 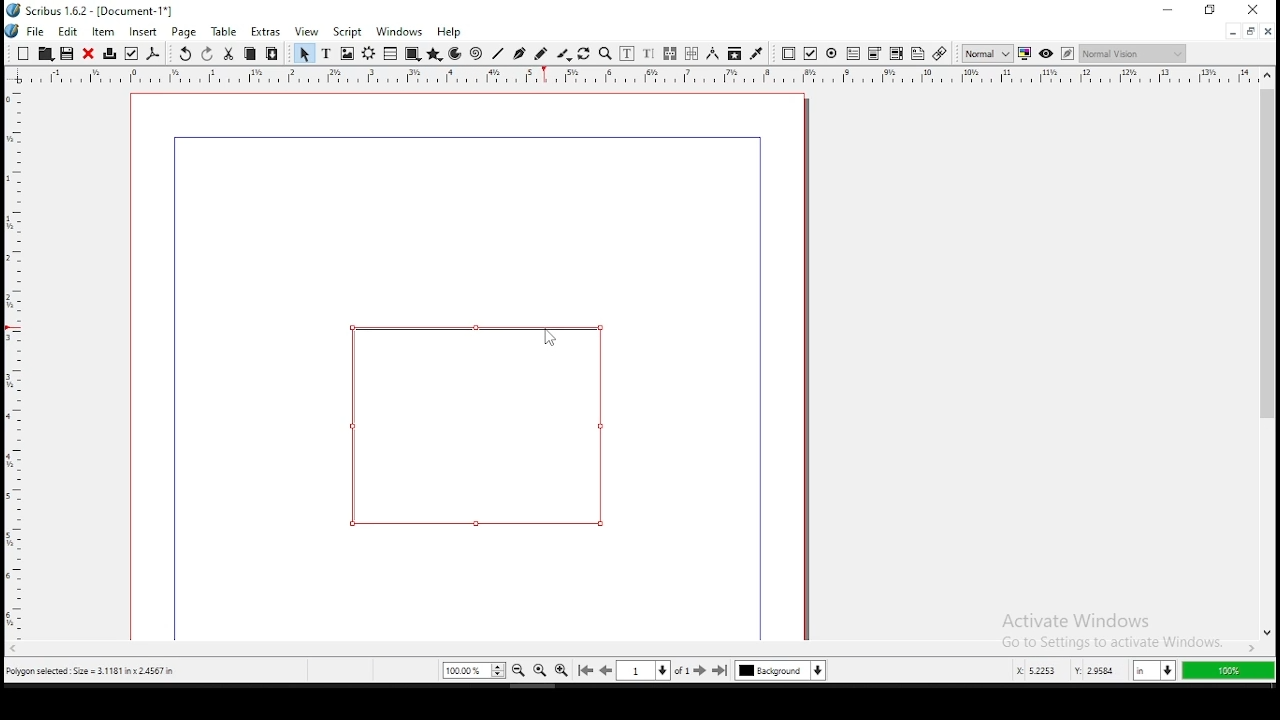 I want to click on toggle color management system, so click(x=1024, y=54).